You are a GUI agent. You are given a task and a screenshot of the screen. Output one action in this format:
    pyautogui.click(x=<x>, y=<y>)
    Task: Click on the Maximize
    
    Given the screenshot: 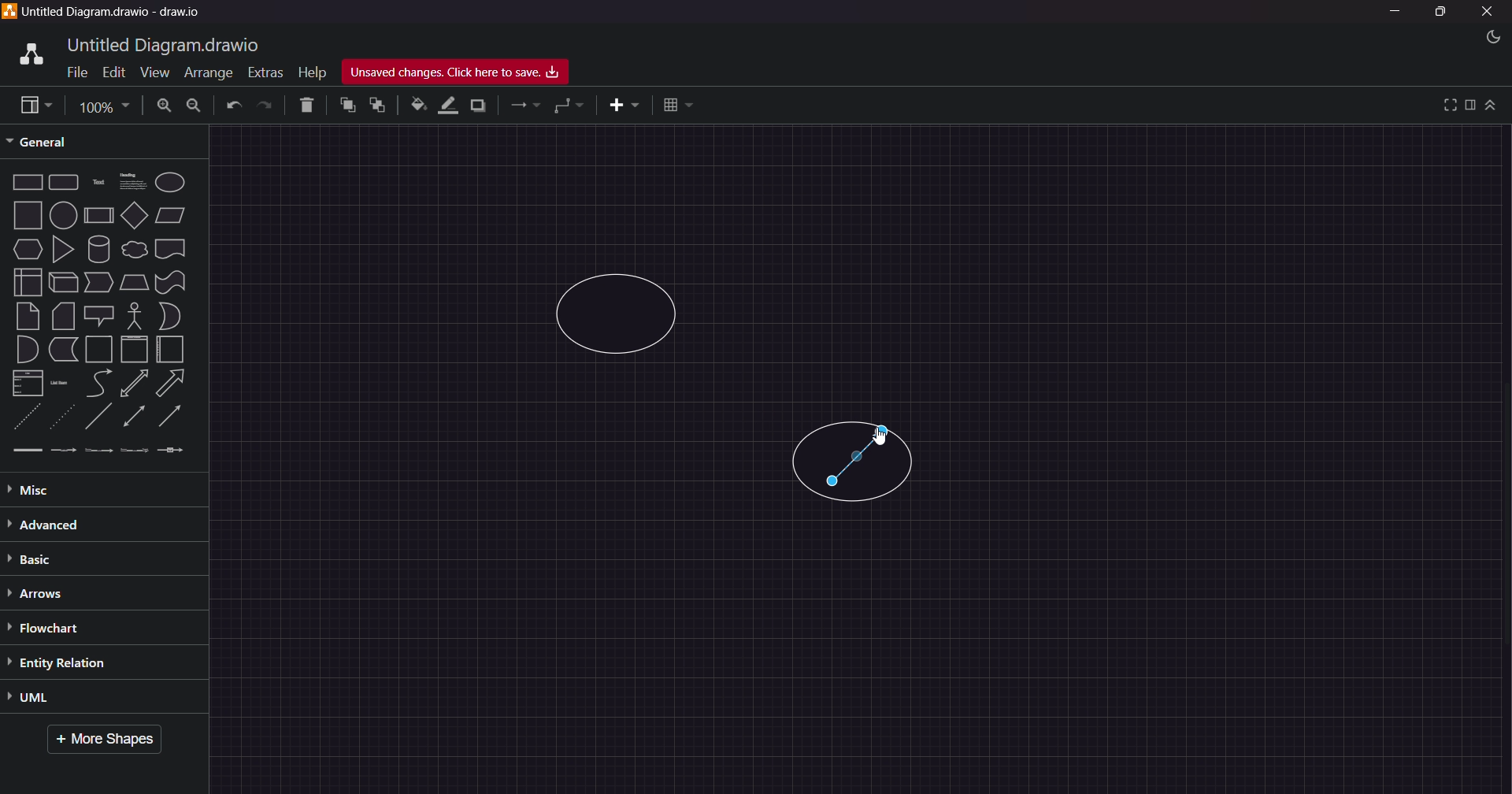 What is the action you would take?
    pyautogui.click(x=1440, y=14)
    